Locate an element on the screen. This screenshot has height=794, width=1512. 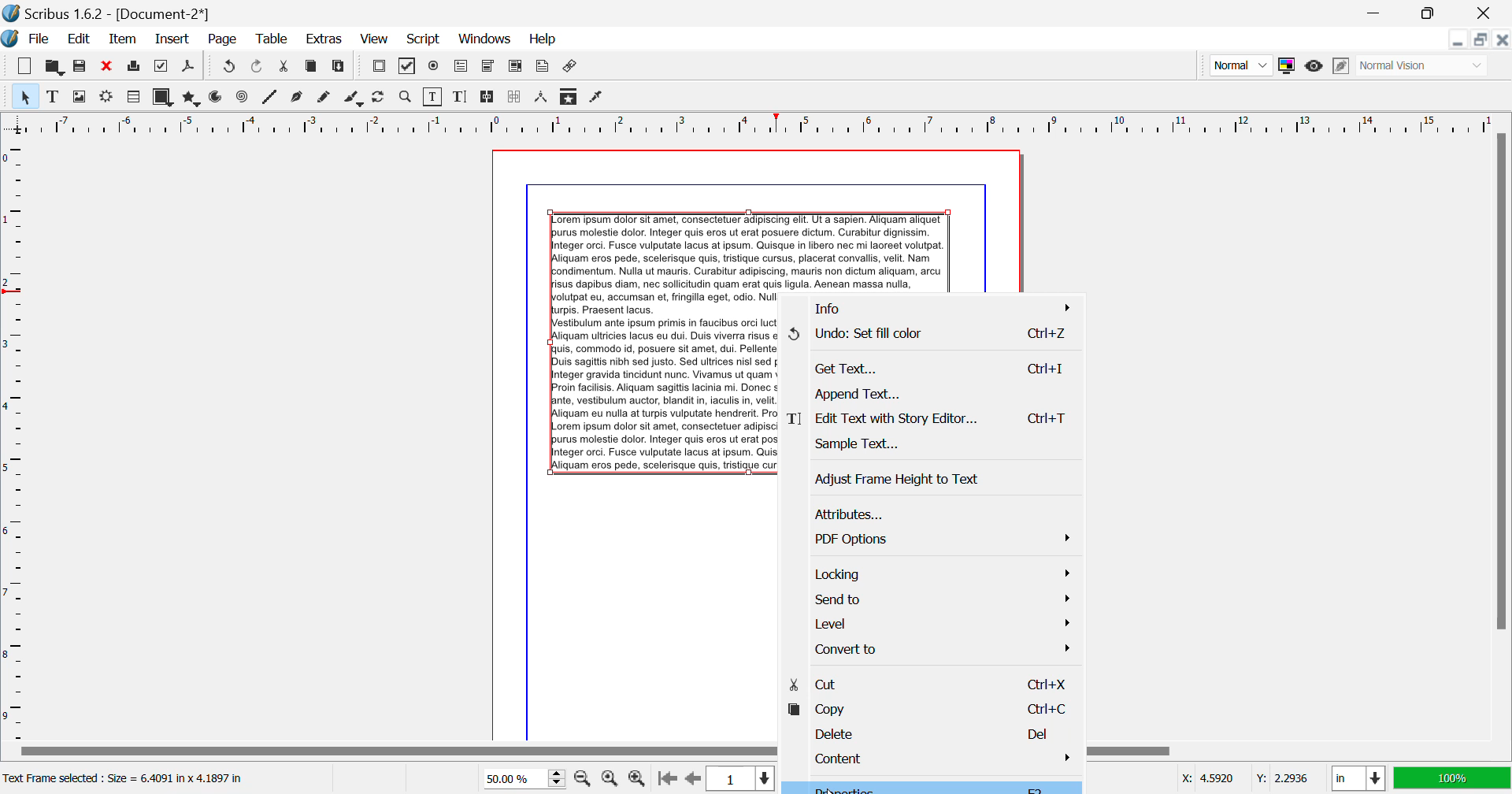
Close is located at coordinates (1488, 13).